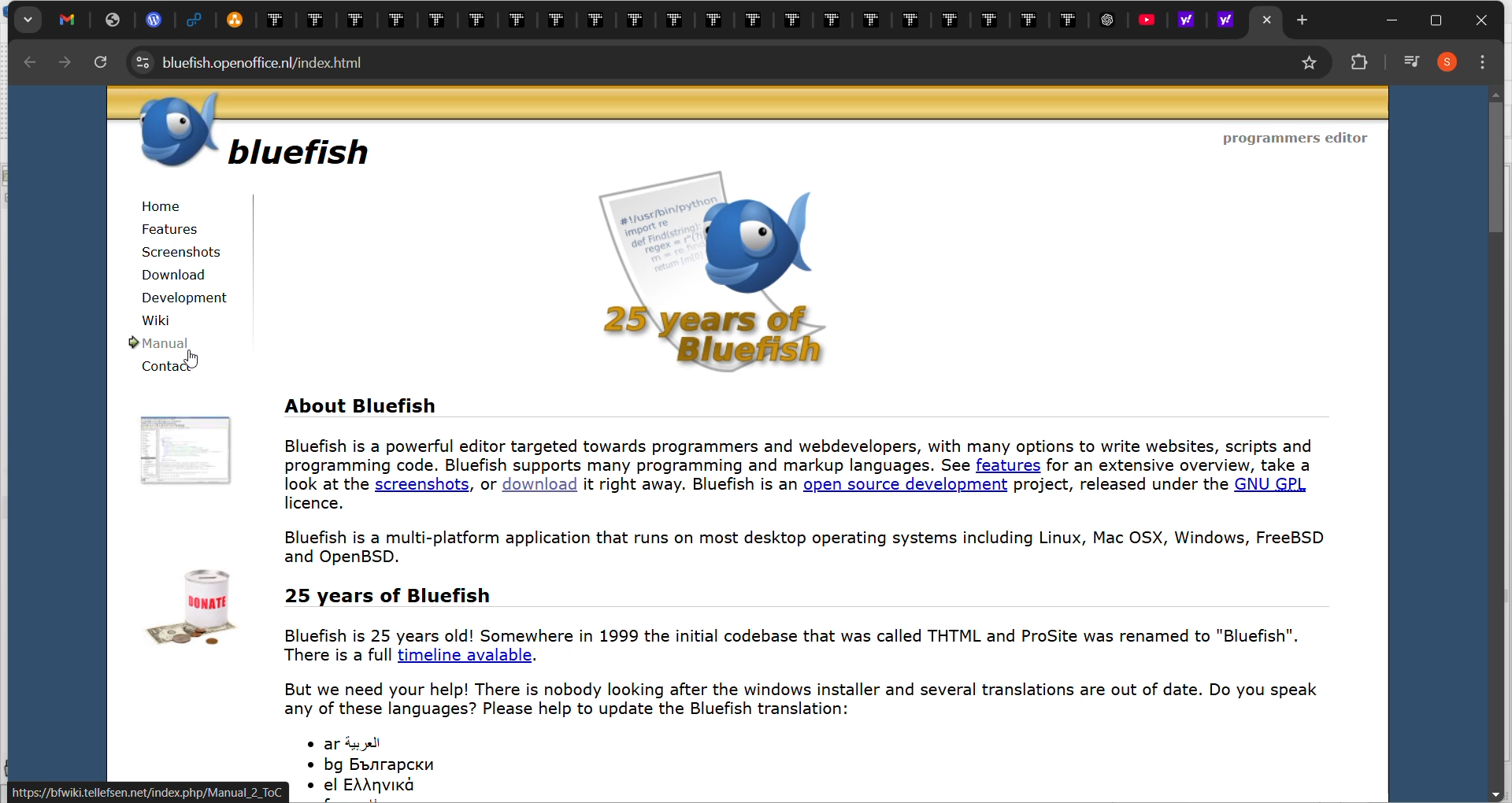 Image resolution: width=1512 pixels, height=803 pixels. Describe the element at coordinates (1314, 62) in the screenshot. I see `bookmark` at that location.